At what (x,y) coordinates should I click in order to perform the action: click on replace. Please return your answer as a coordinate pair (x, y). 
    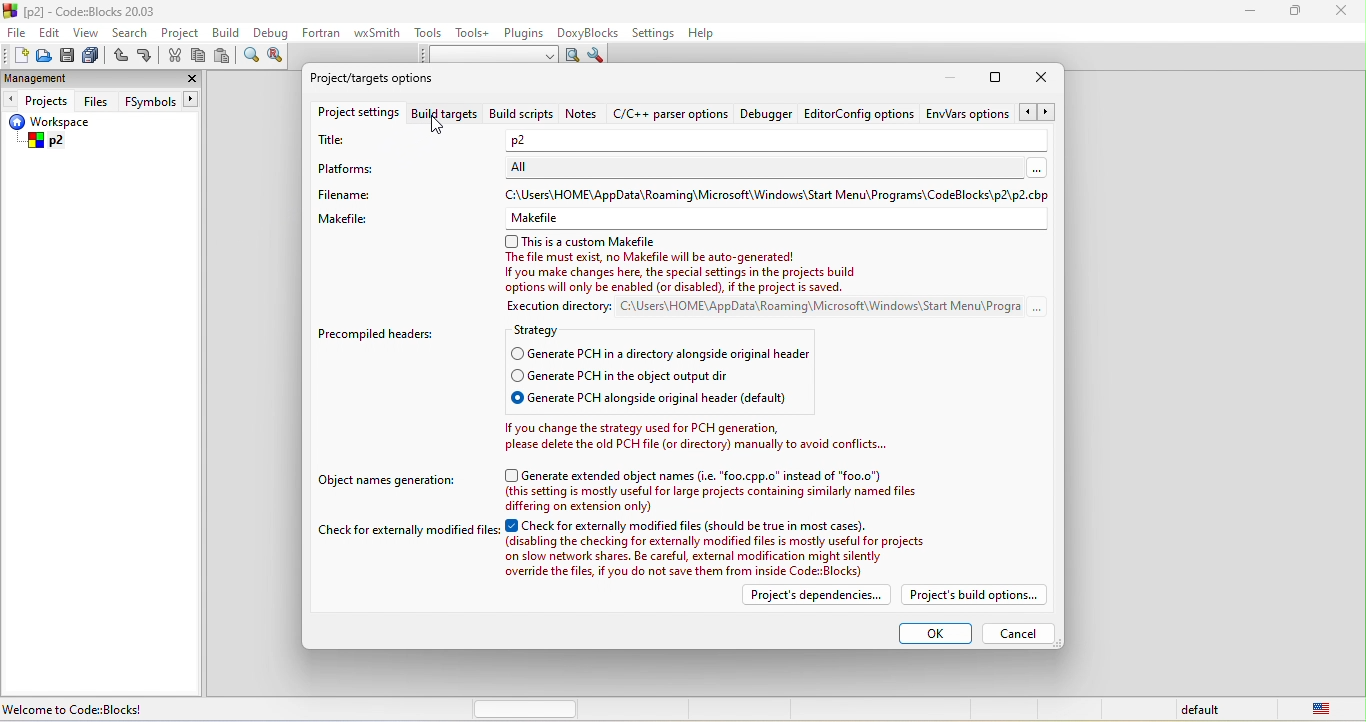
    Looking at the image, I should click on (279, 60).